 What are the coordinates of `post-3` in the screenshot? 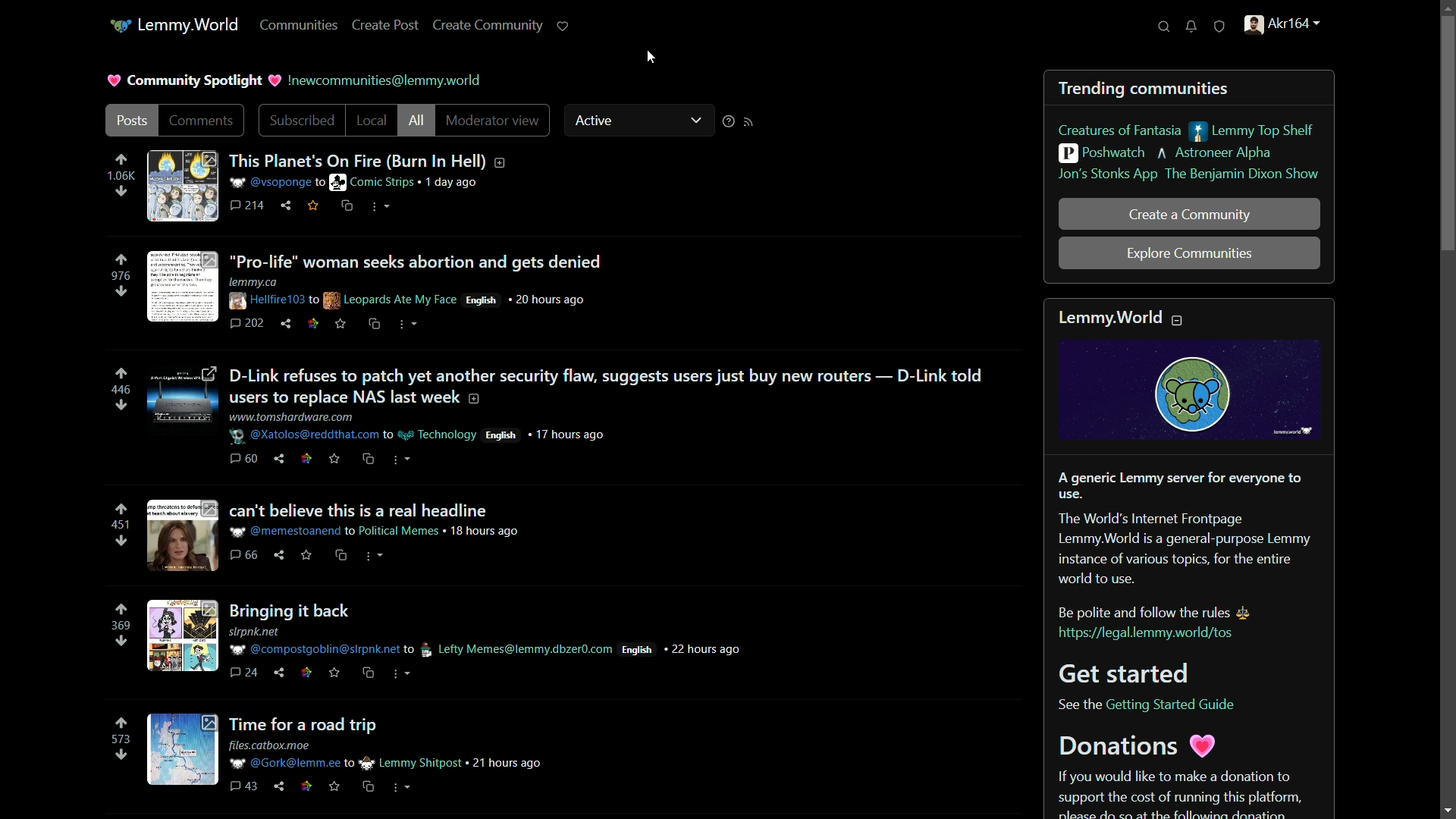 It's located at (570, 416).